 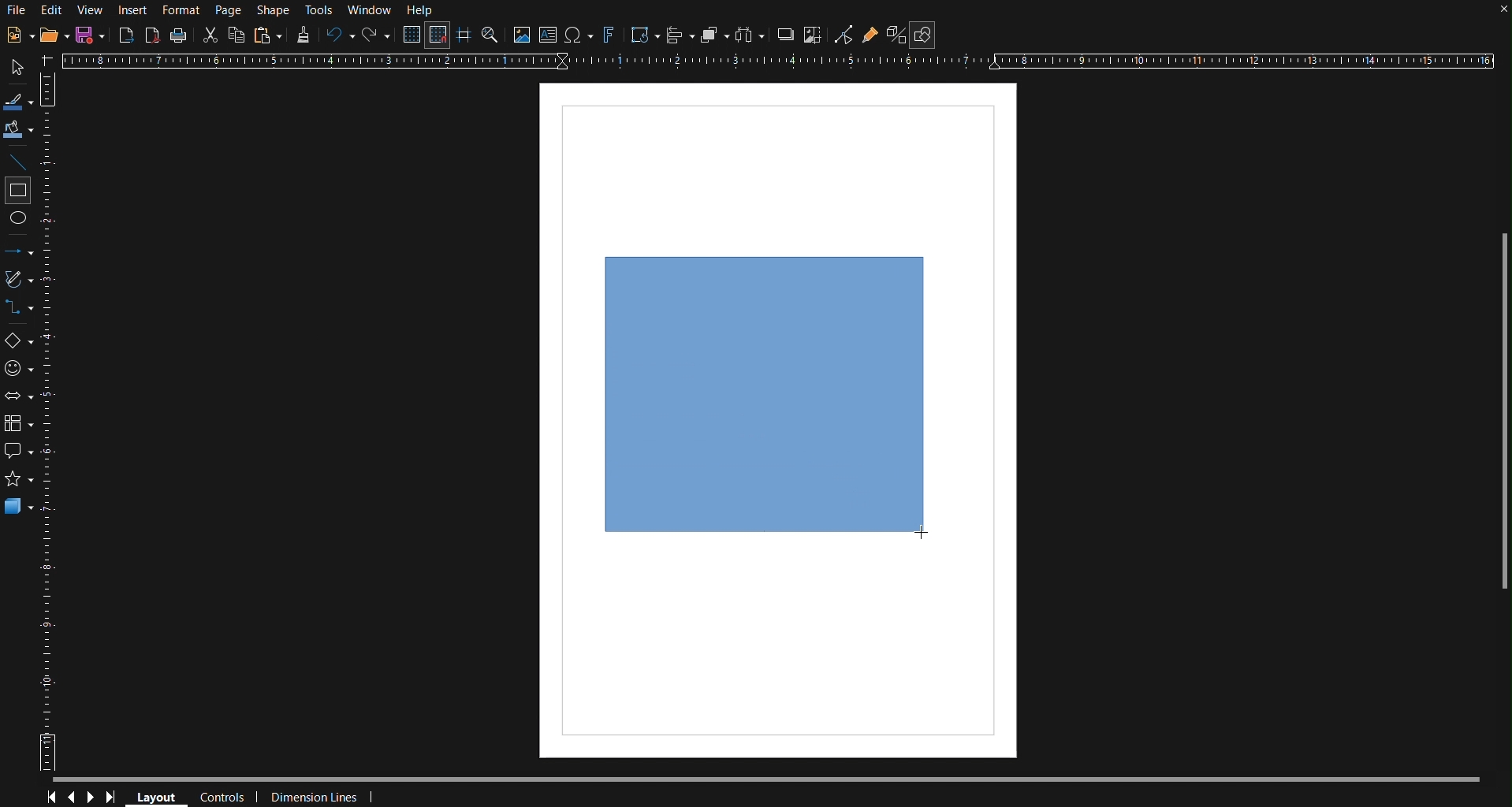 I want to click on Lines and Arrows, so click(x=20, y=251).